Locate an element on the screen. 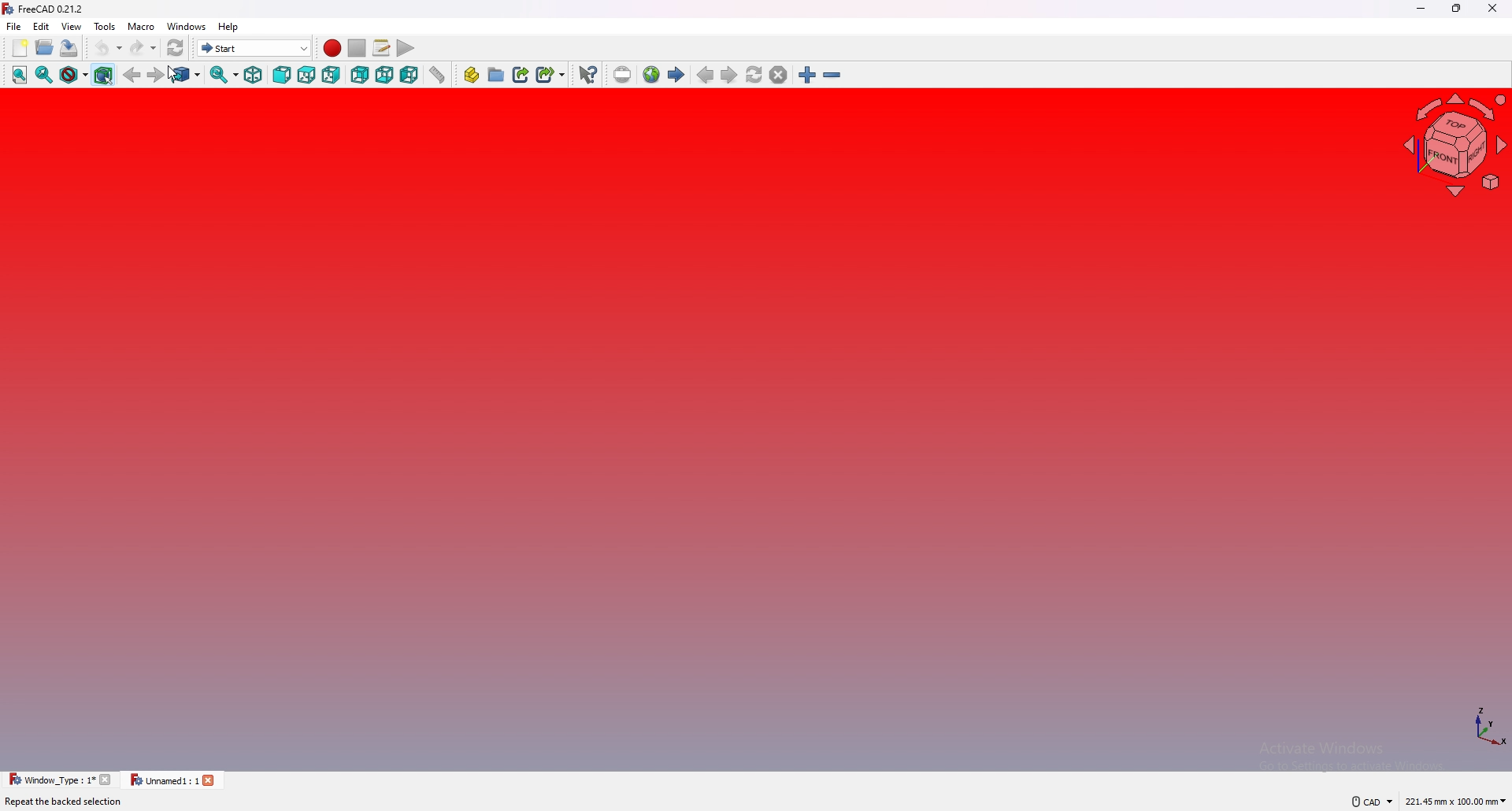 This screenshot has height=811, width=1512. measure distance is located at coordinates (437, 74).